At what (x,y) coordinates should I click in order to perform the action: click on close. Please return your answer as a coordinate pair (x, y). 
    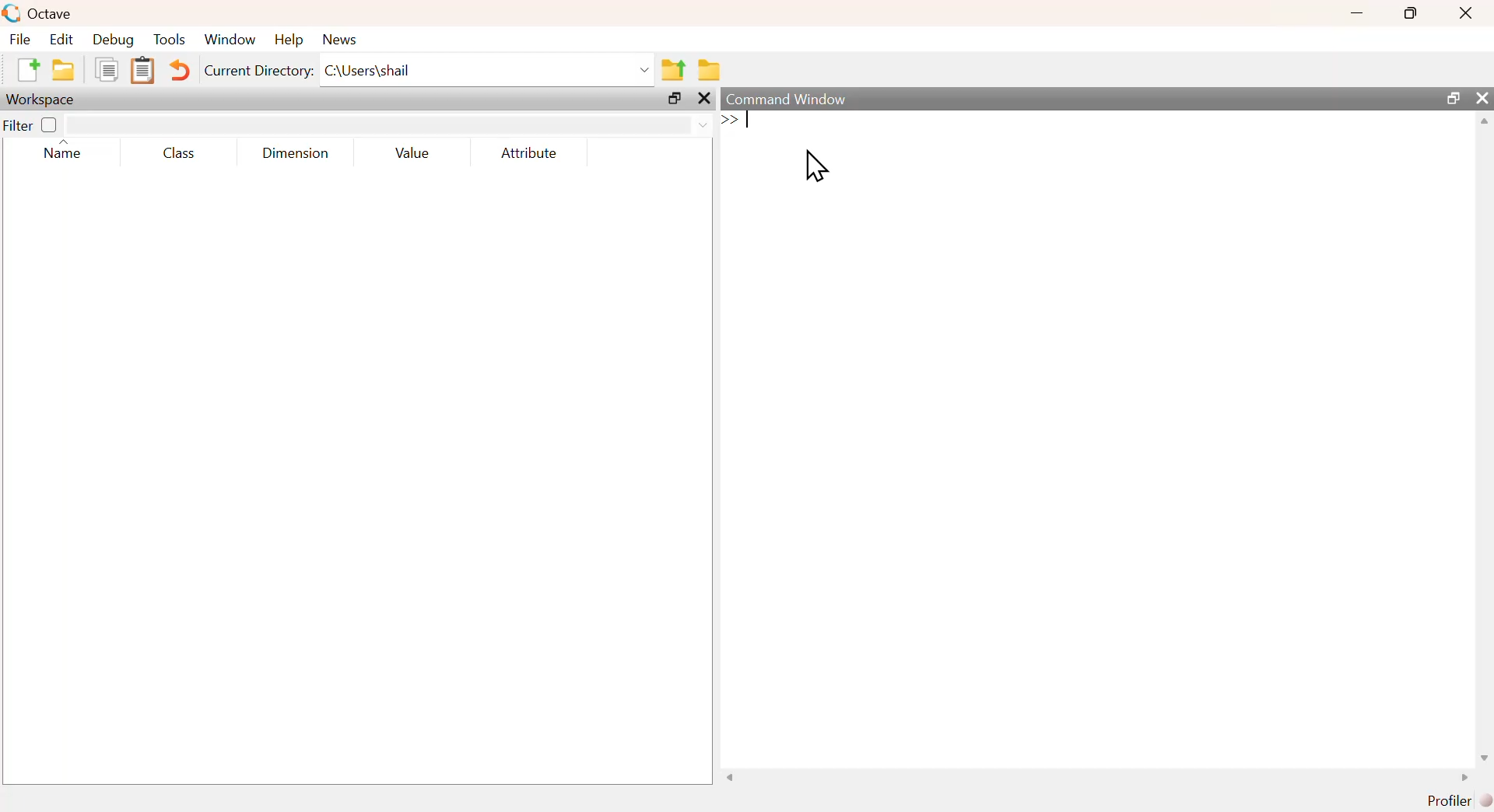
    Looking at the image, I should click on (1483, 98).